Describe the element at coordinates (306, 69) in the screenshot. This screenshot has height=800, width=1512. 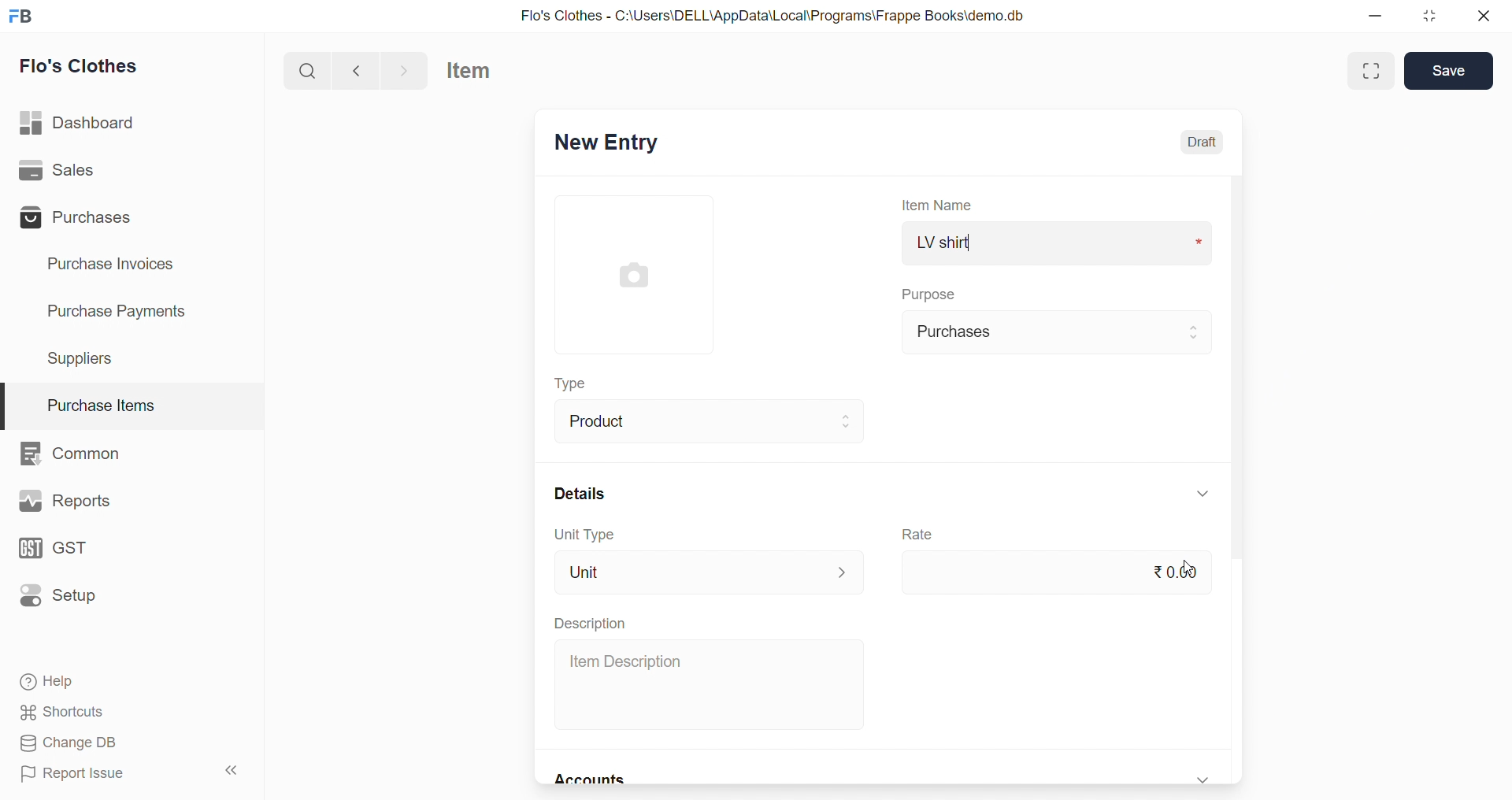
I see `search` at that location.